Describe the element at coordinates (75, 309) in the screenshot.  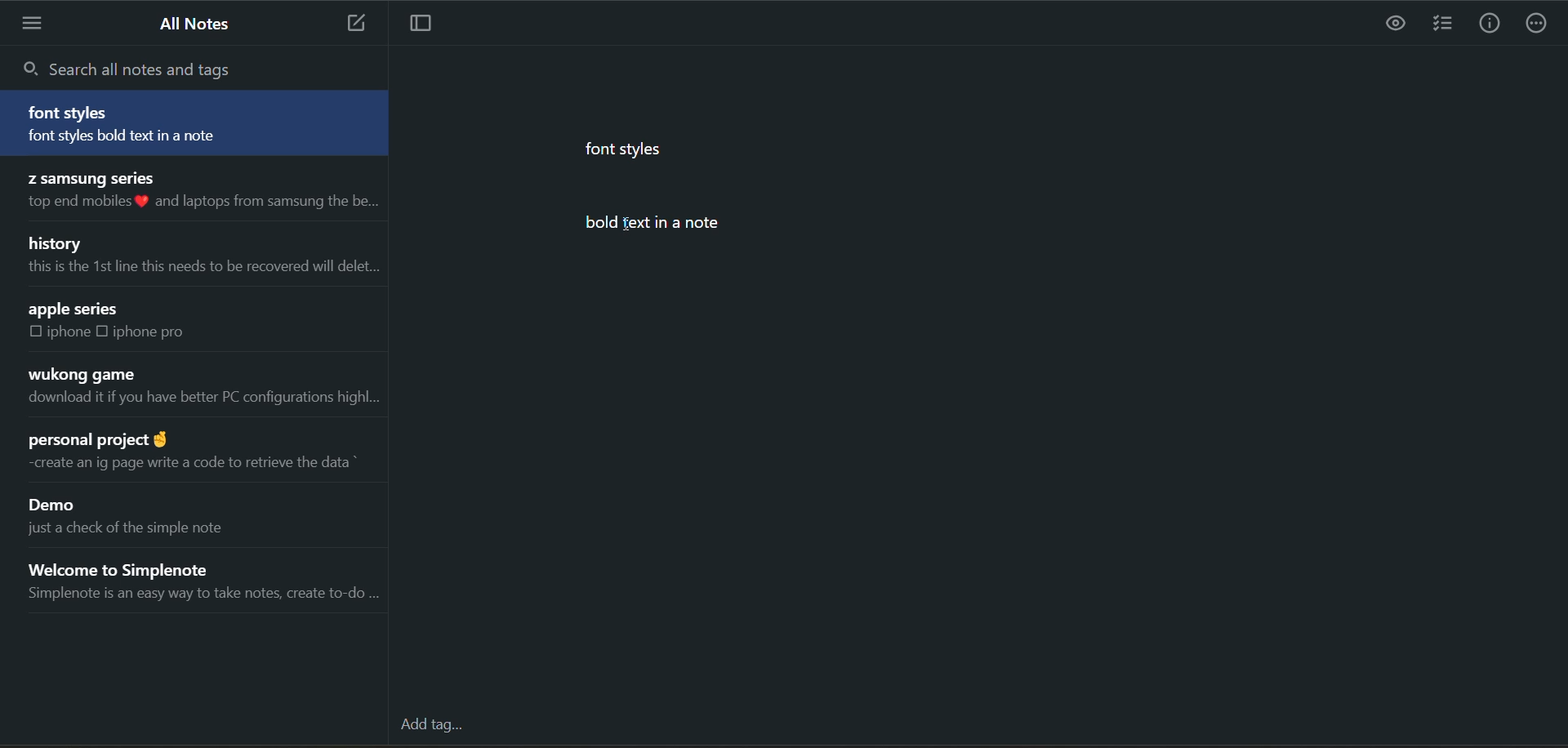
I see `apple series` at that location.